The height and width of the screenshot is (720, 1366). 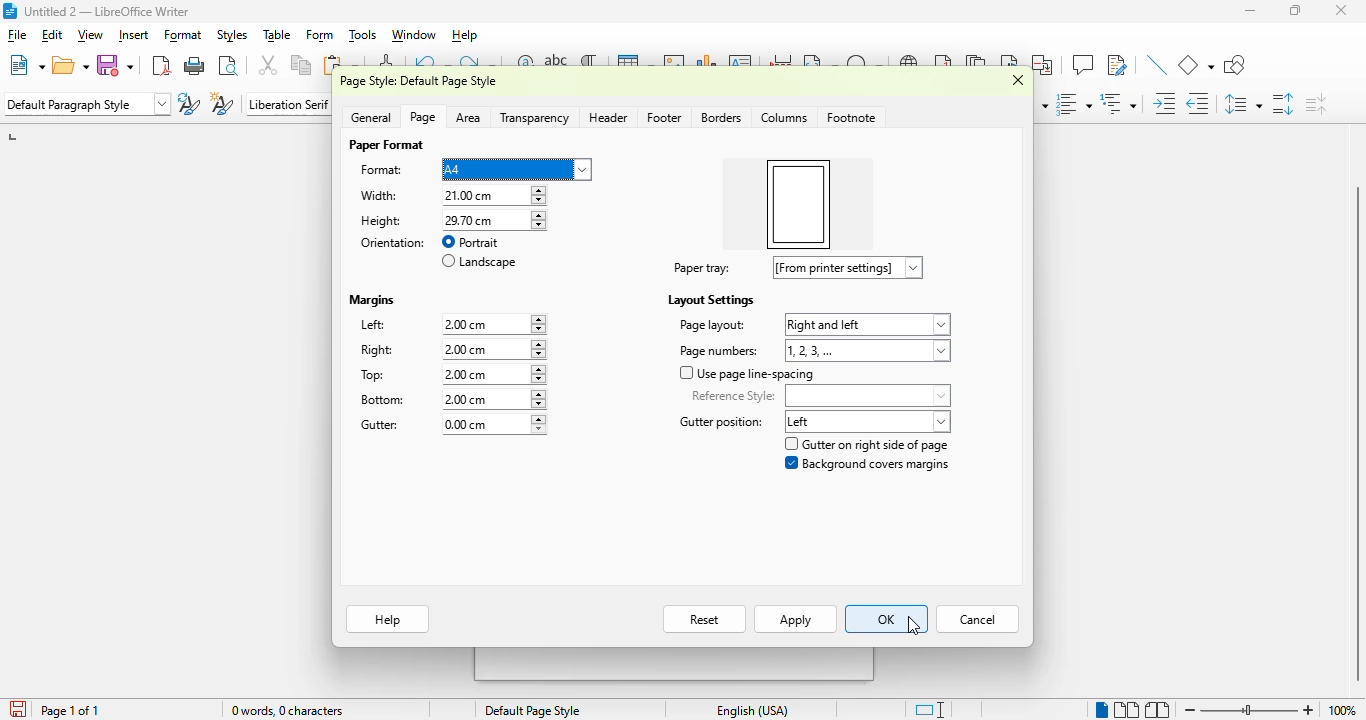 What do you see at coordinates (1165, 104) in the screenshot?
I see `increase indent` at bounding box center [1165, 104].